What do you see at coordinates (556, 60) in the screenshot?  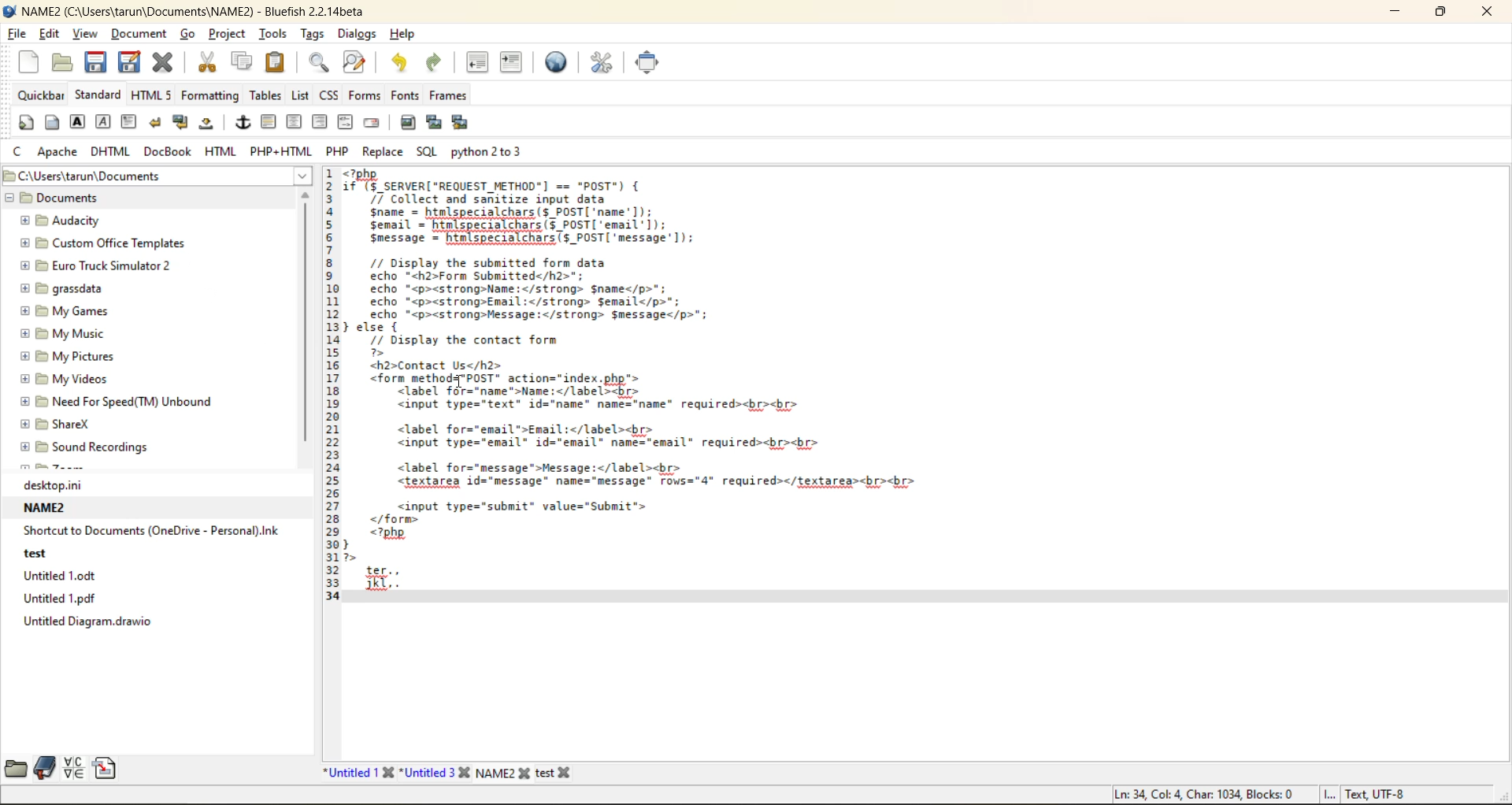 I see `preview in browser` at bounding box center [556, 60].